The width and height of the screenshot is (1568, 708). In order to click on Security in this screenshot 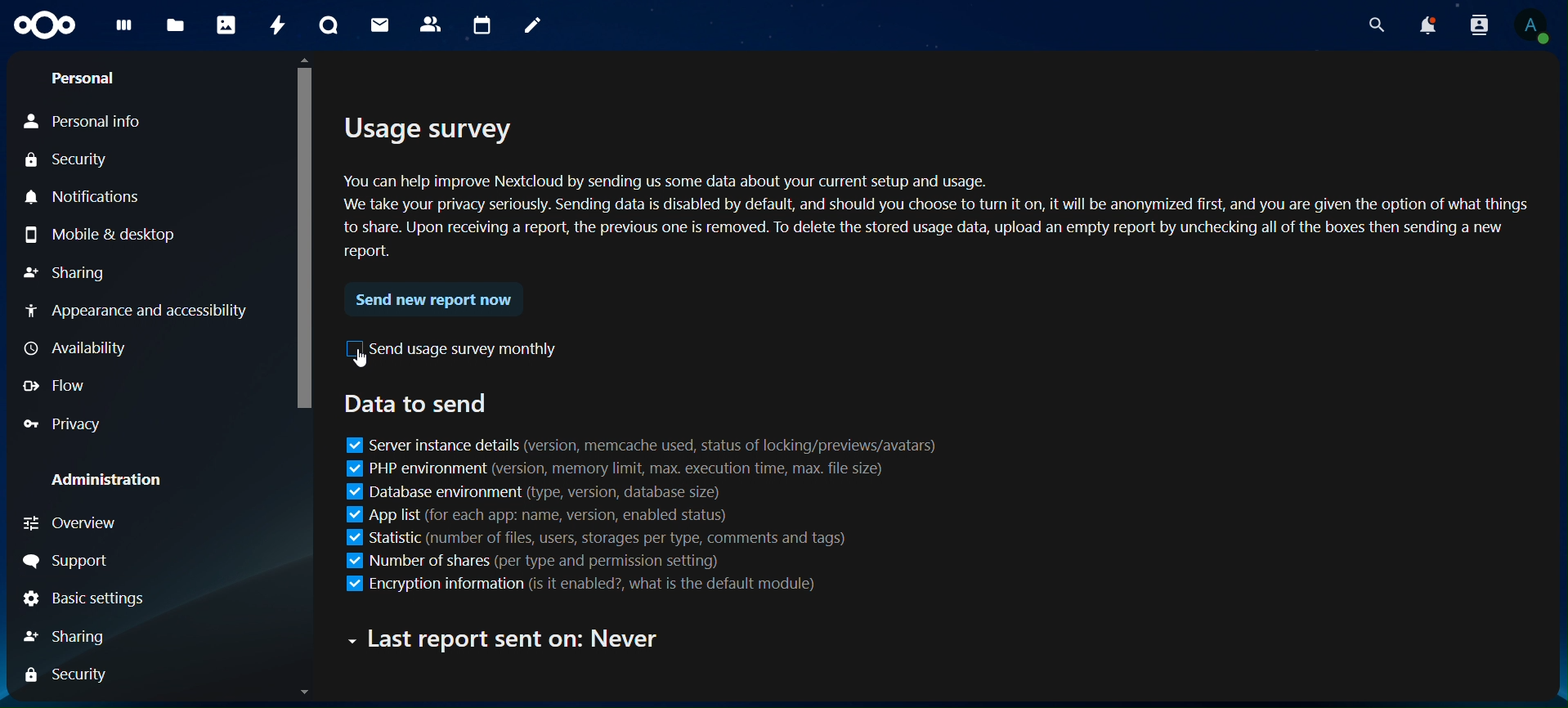, I will do `click(68, 161)`.